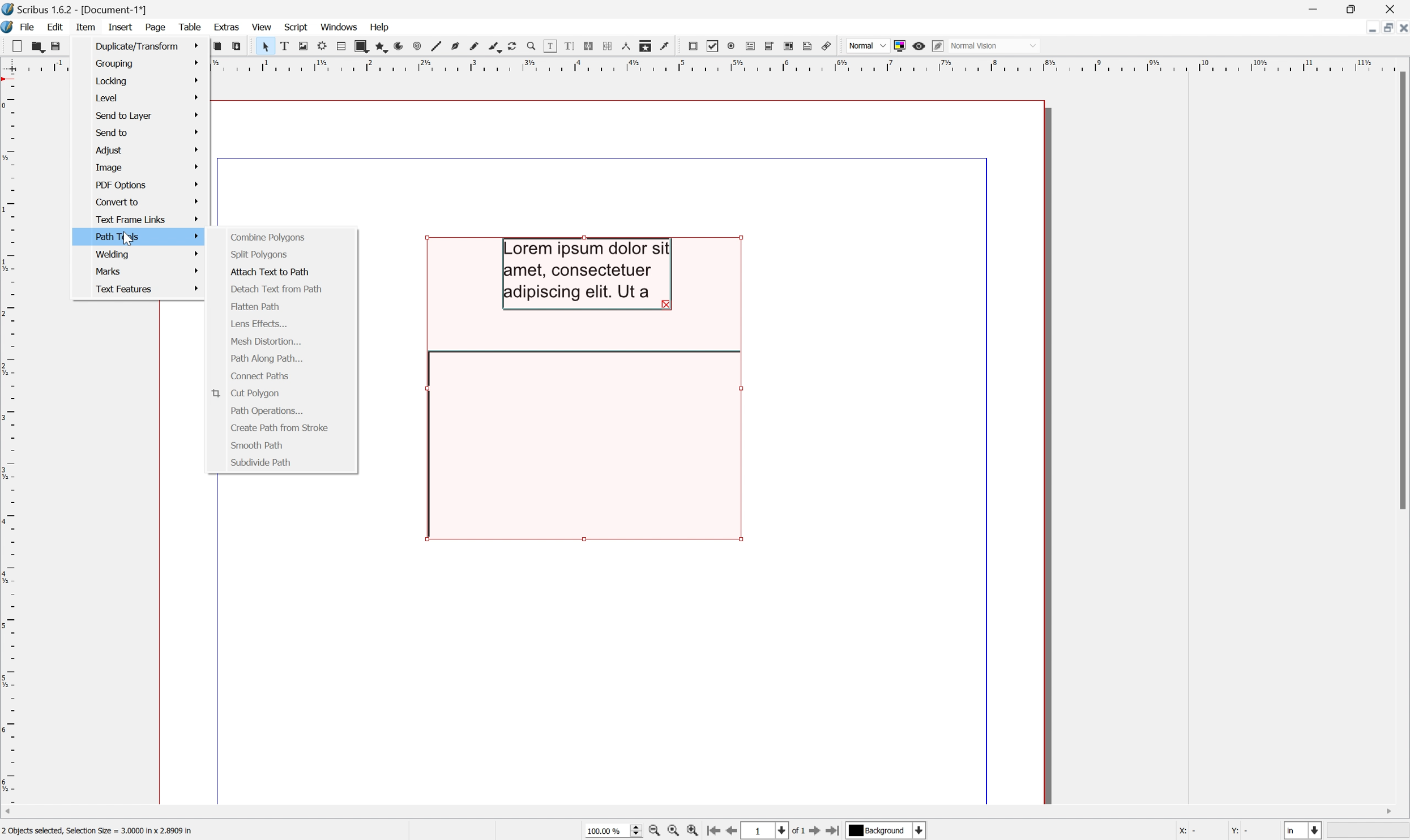 Image resolution: width=1410 pixels, height=840 pixels. I want to click on Copy, so click(218, 46).